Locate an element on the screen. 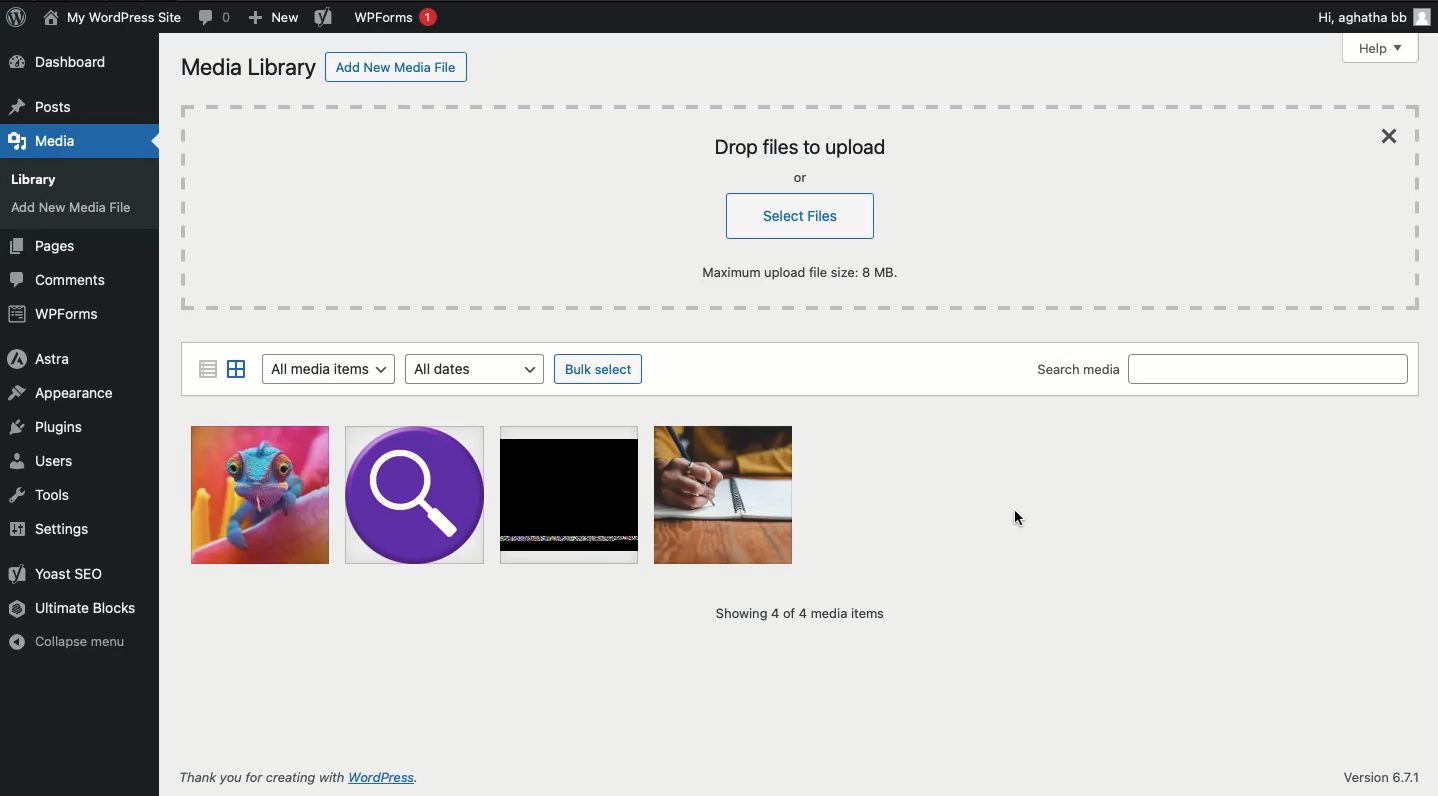 This screenshot has width=1438, height=796. Settings is located at coordinates (48, 529).